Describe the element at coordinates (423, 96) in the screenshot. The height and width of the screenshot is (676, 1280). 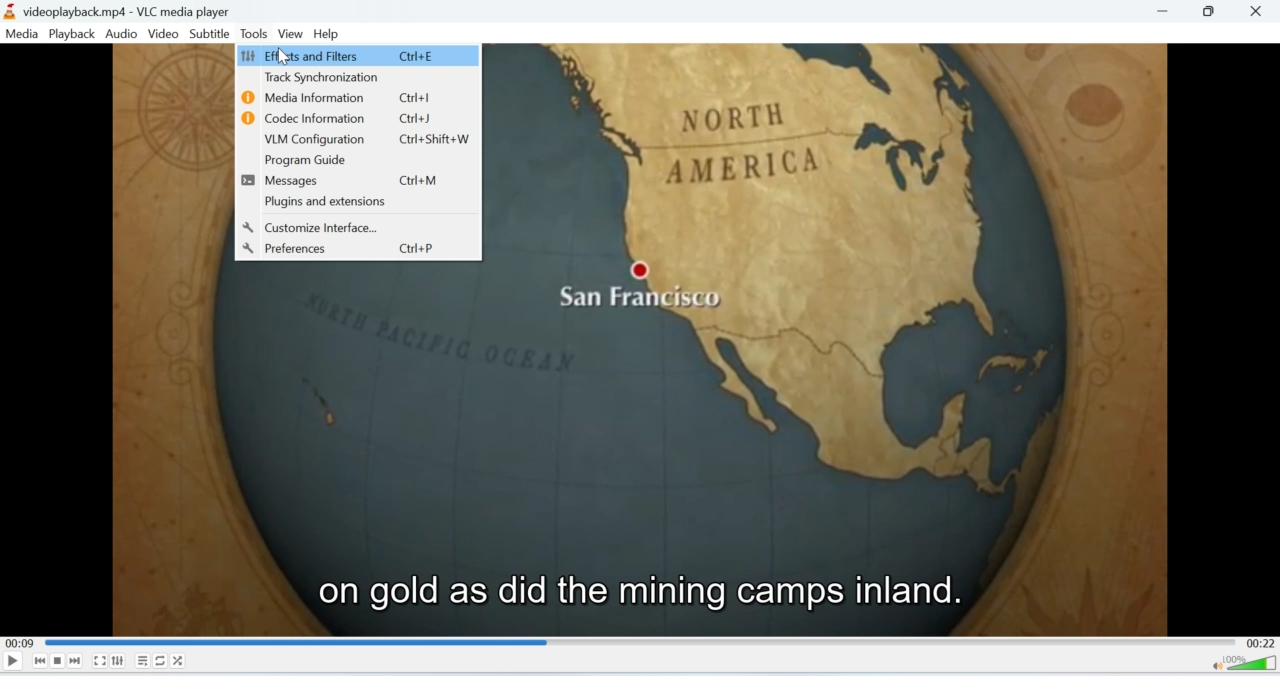
I see `Ctrl+I` at that location.